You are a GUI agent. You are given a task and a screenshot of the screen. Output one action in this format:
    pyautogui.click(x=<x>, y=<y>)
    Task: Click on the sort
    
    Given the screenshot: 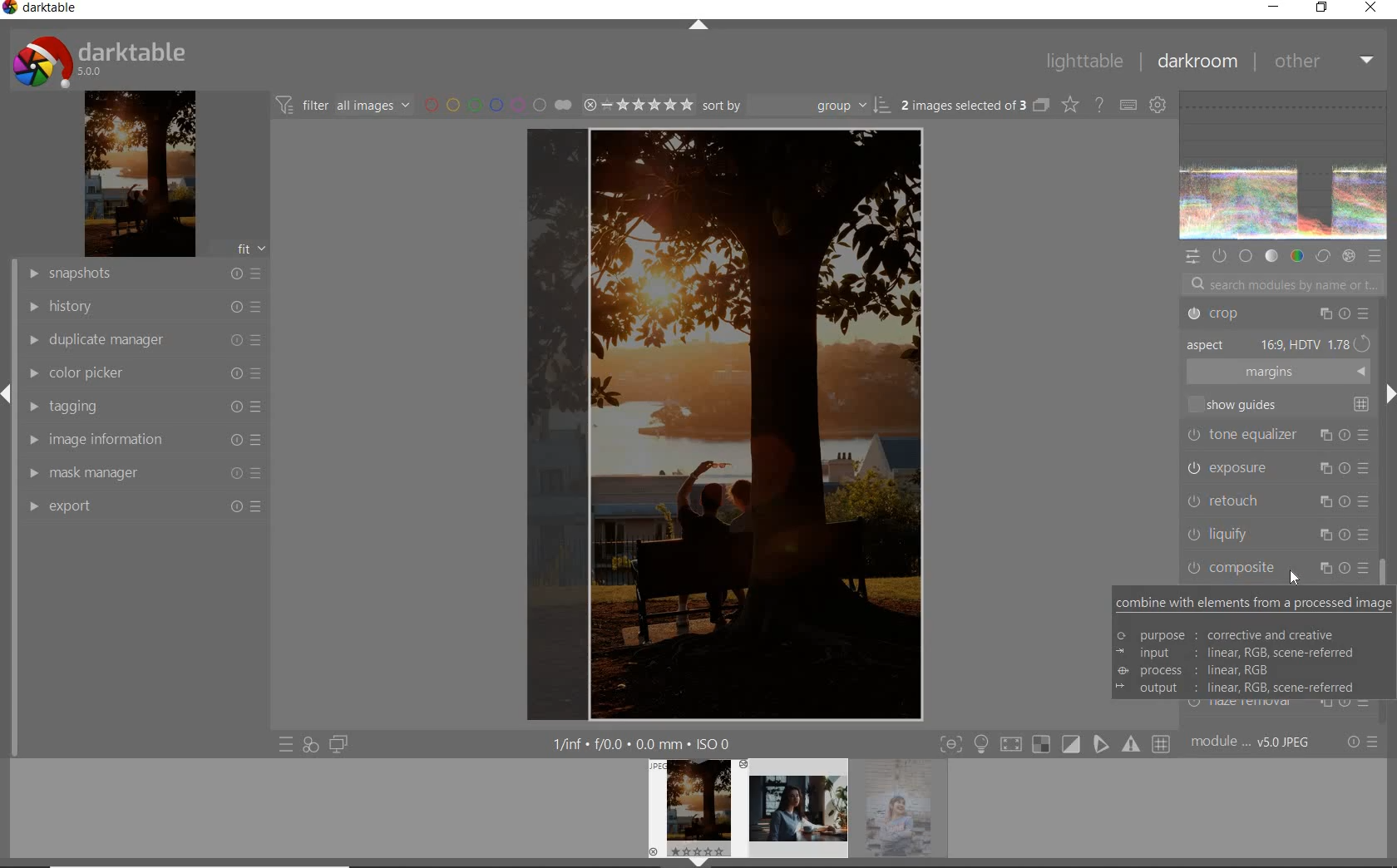 What is the action you would take?
    pyautogui.click(x=797, y=106)
    